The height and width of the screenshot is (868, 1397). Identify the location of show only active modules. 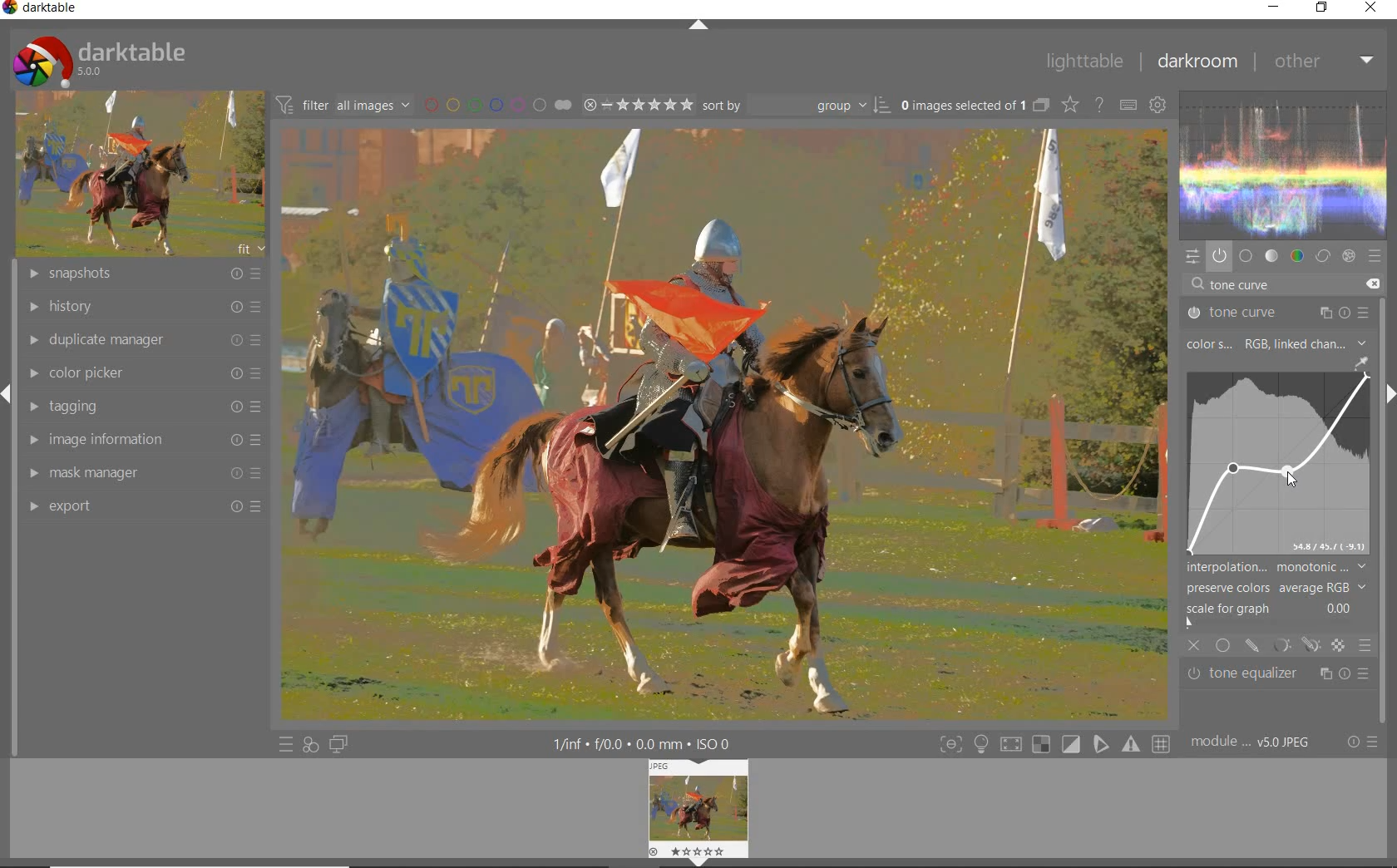
(1219, 257).